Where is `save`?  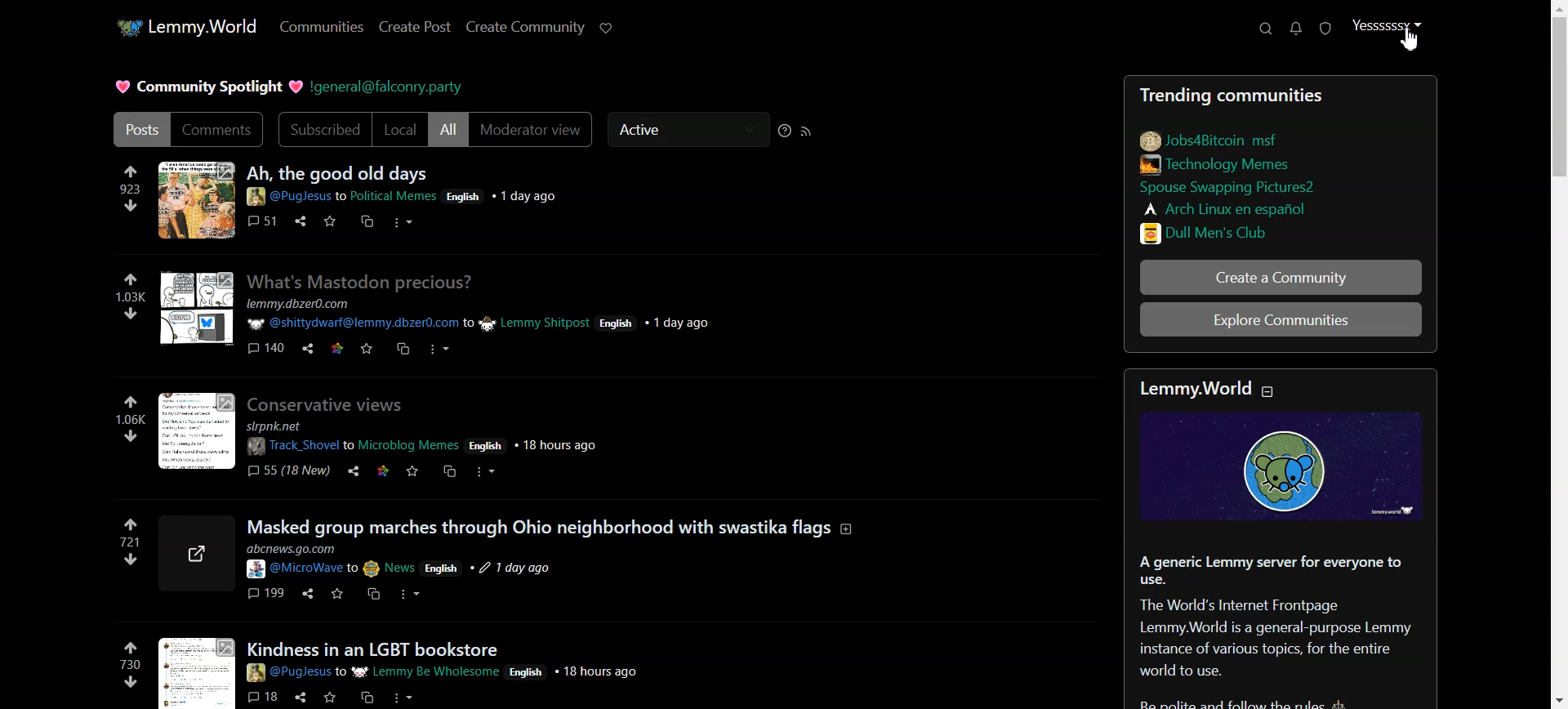
save is located at coordinates (368, 346).